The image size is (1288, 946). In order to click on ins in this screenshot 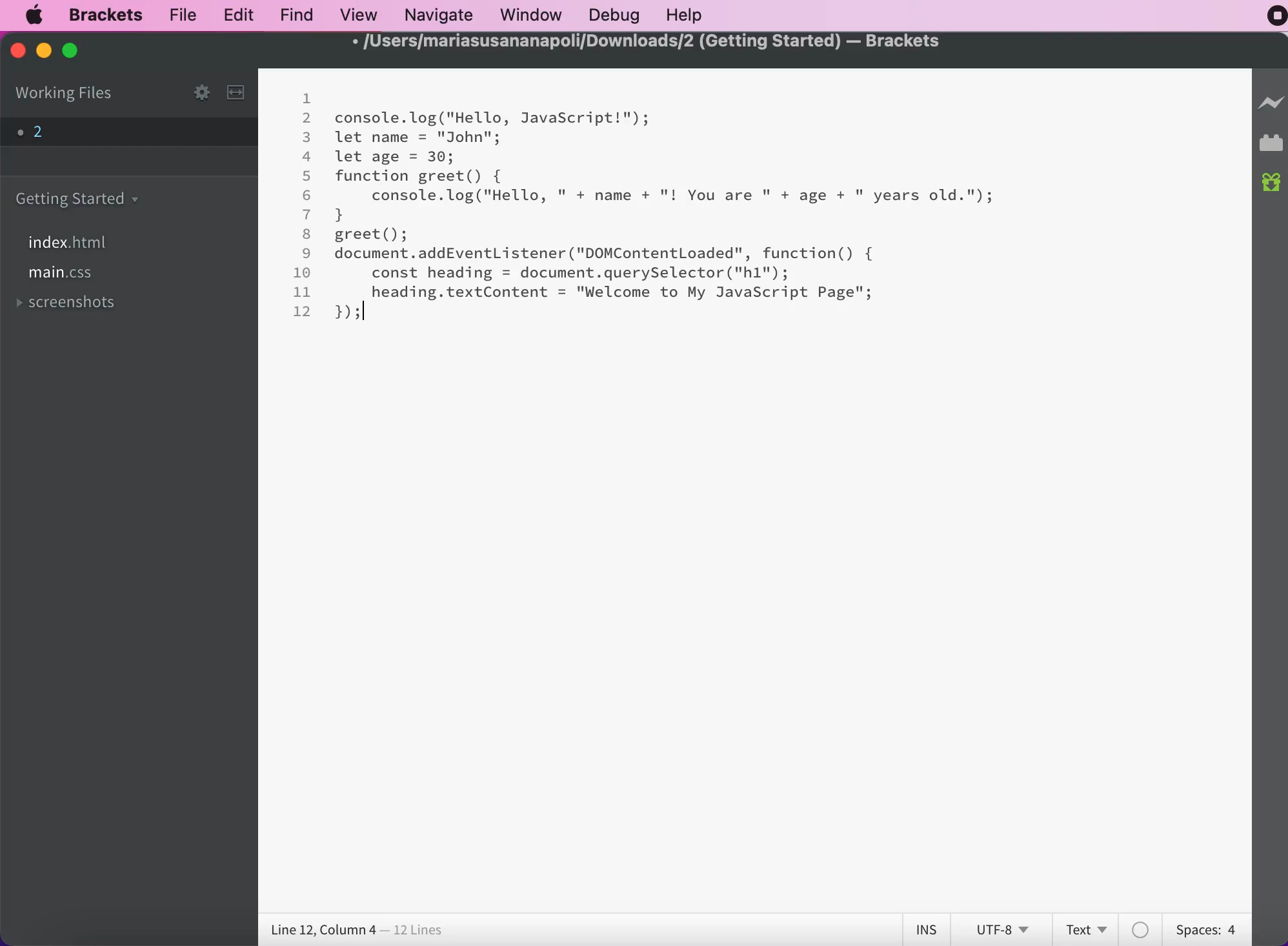, I will do `click(923, 927)`.